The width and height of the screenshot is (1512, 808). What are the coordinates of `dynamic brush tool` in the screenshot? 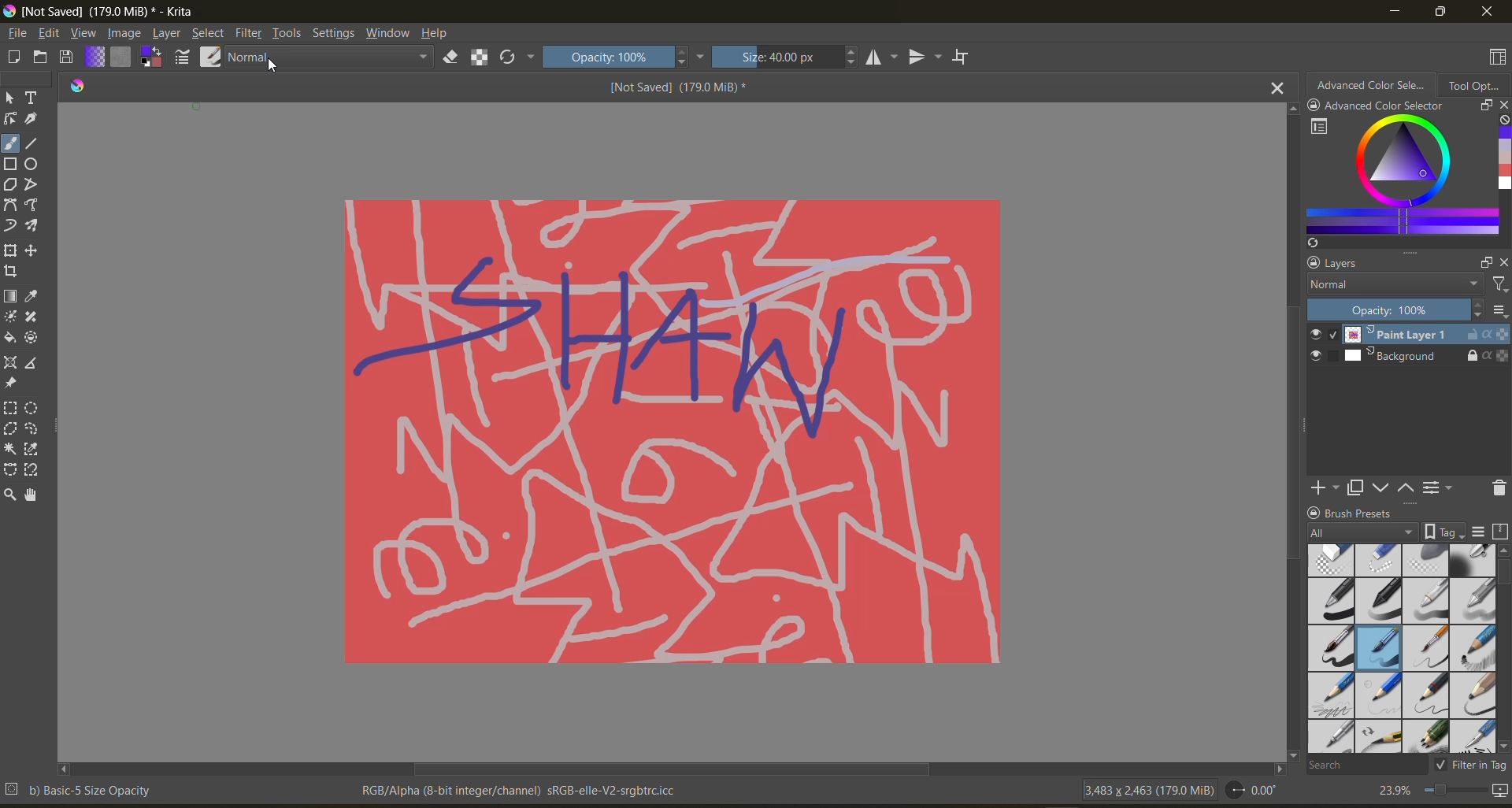 It's located at (11, 226).